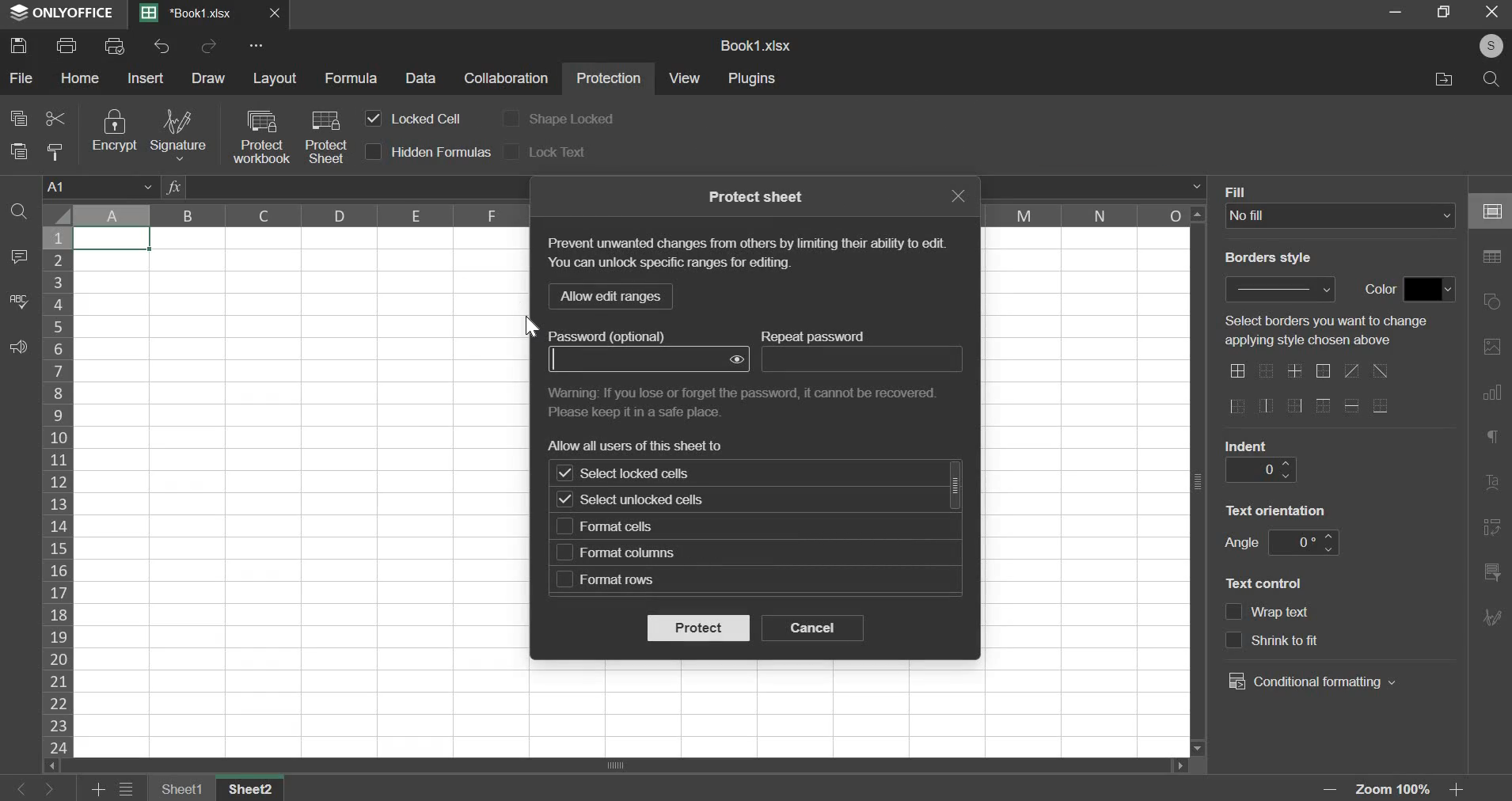  Describe the element at coordinates (617, 336) in the screenshot. I see `text` at that location.